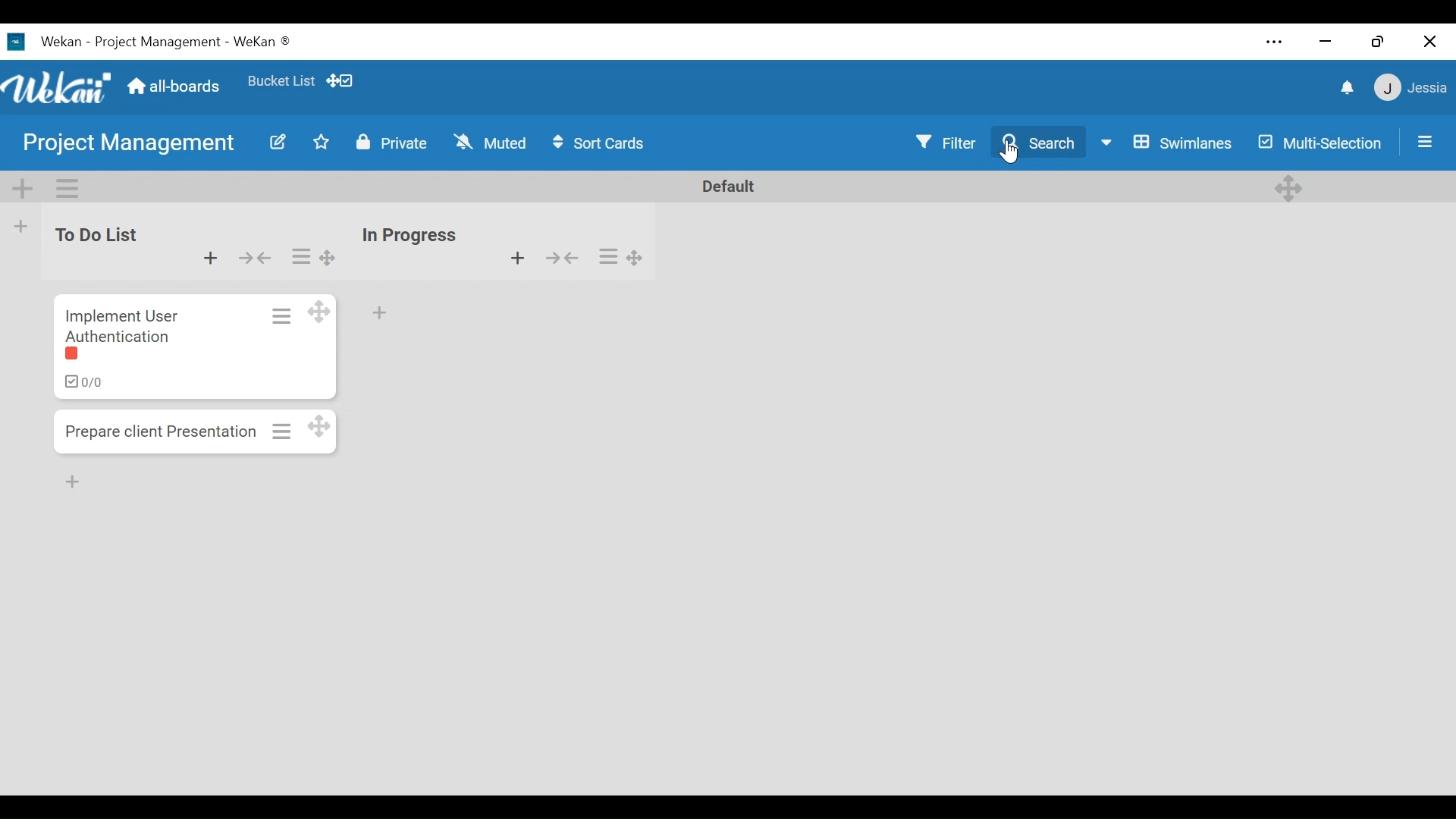 The width and height of the screenshot is (1456, 819). What do you see at coordinates (1040, 142) in the screenshot?
I see `Search` at bounding box center [1040, 142].